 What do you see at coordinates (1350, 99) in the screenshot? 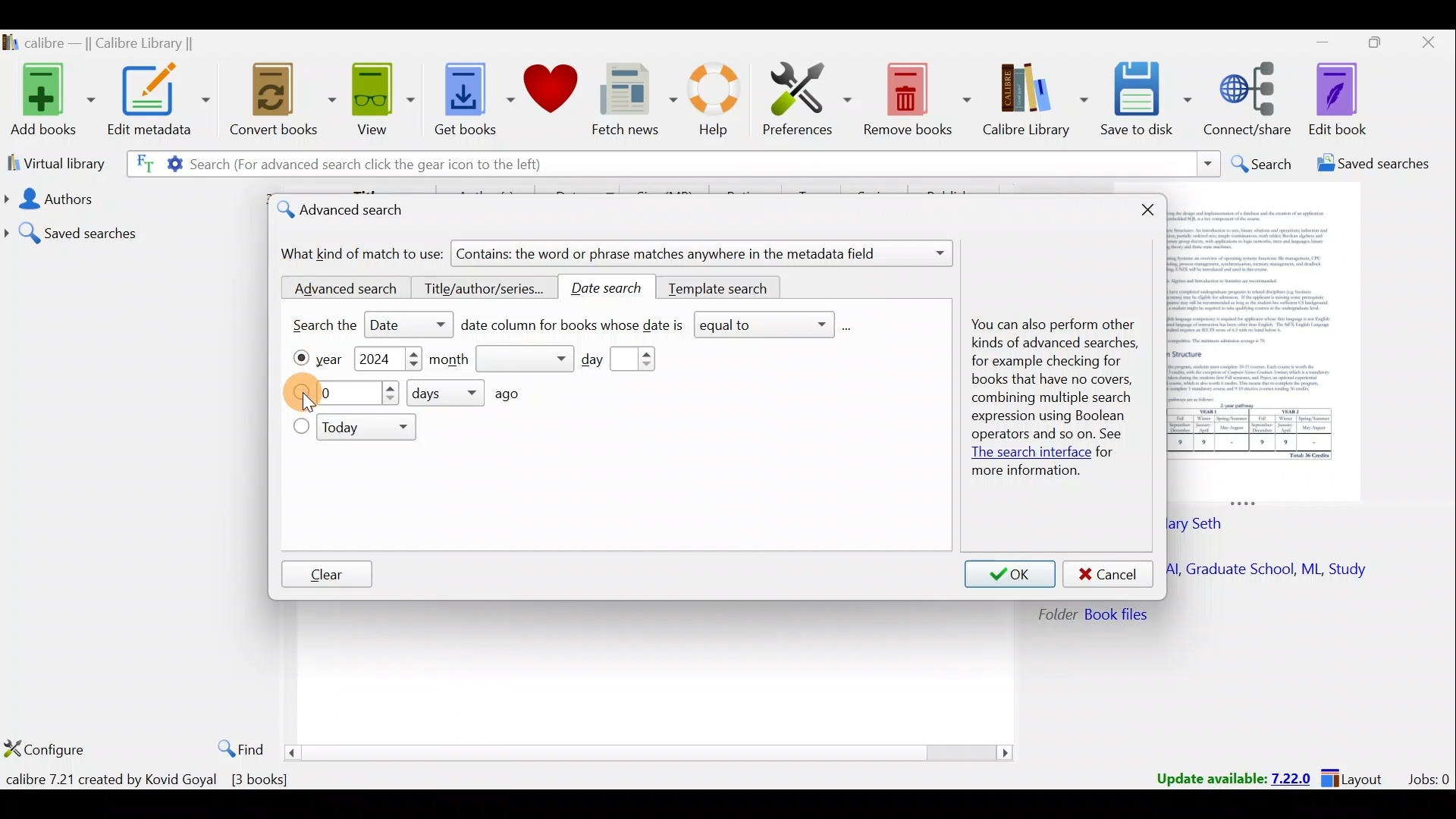
I see `Edit book` at bounding box center [1350, 99].